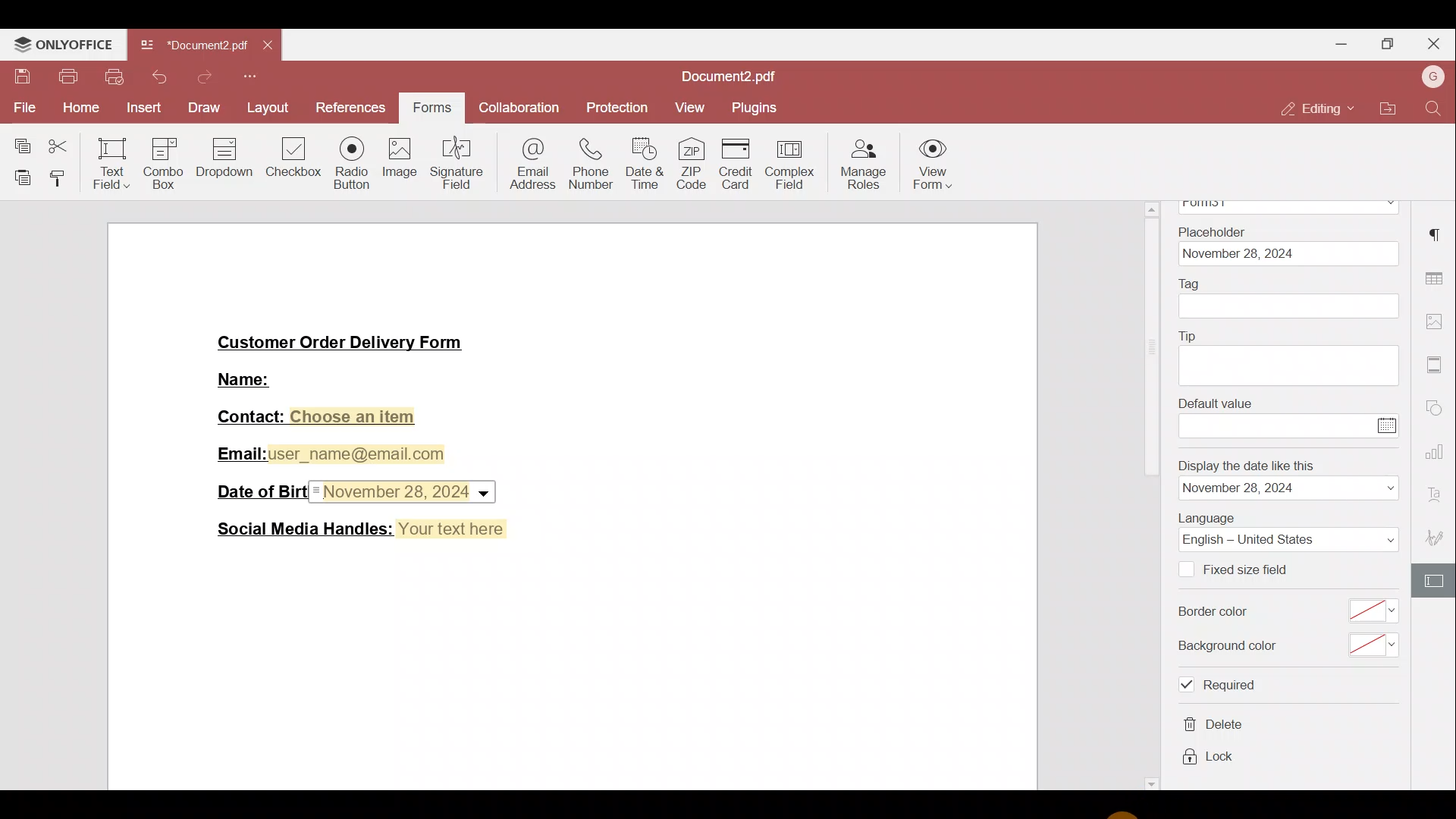 The height and width of the screenshot is (819, 1456). What do you see at coordinates (1438, 457) in the screenshot?
I see `Chart settings` at bounding box center [1438, 457].